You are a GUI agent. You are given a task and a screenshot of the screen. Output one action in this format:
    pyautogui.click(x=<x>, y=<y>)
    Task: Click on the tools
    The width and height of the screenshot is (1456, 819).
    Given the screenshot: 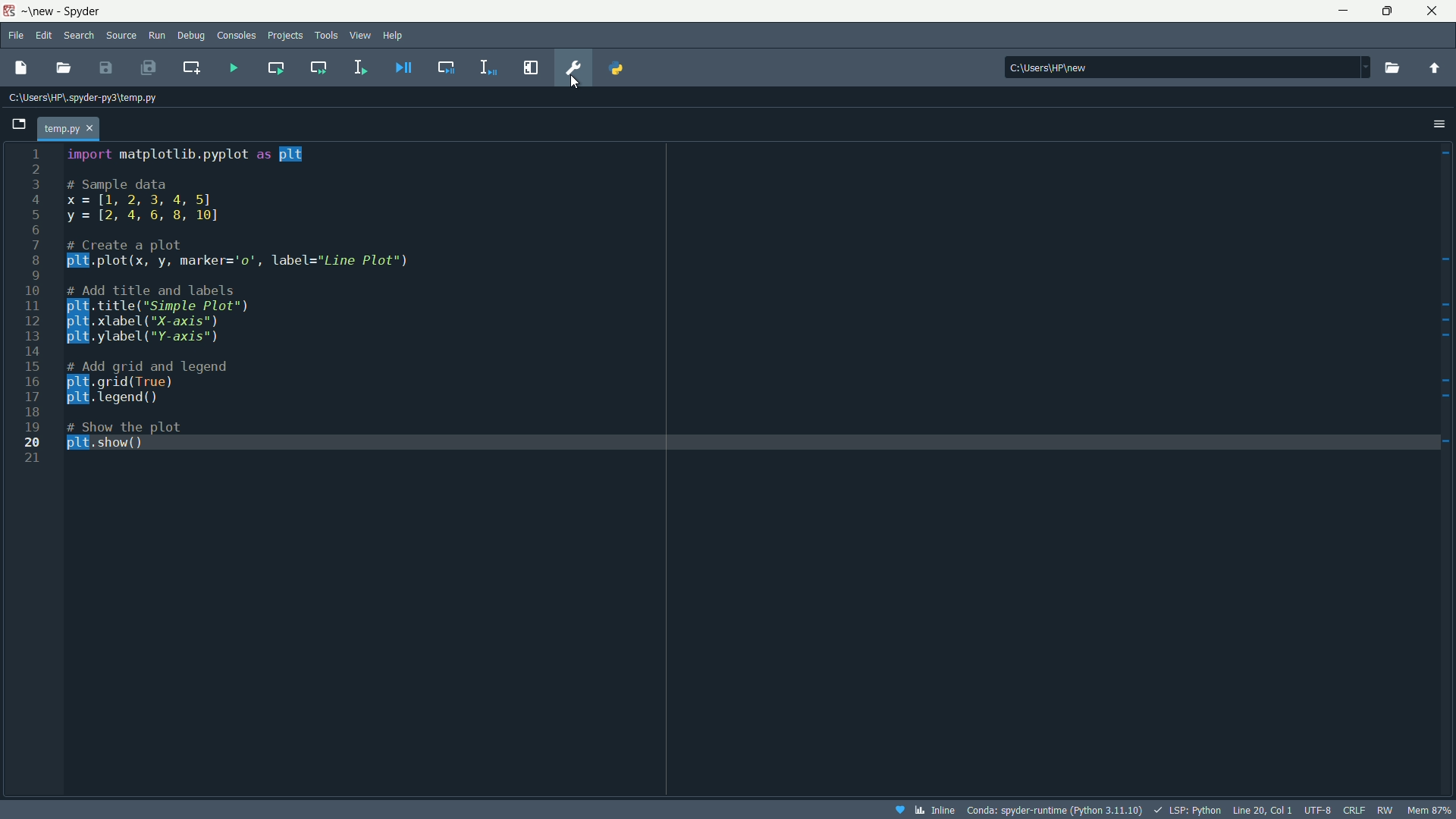 What is the action you would take?
    pyautogui.click(x=328, y=35)
    